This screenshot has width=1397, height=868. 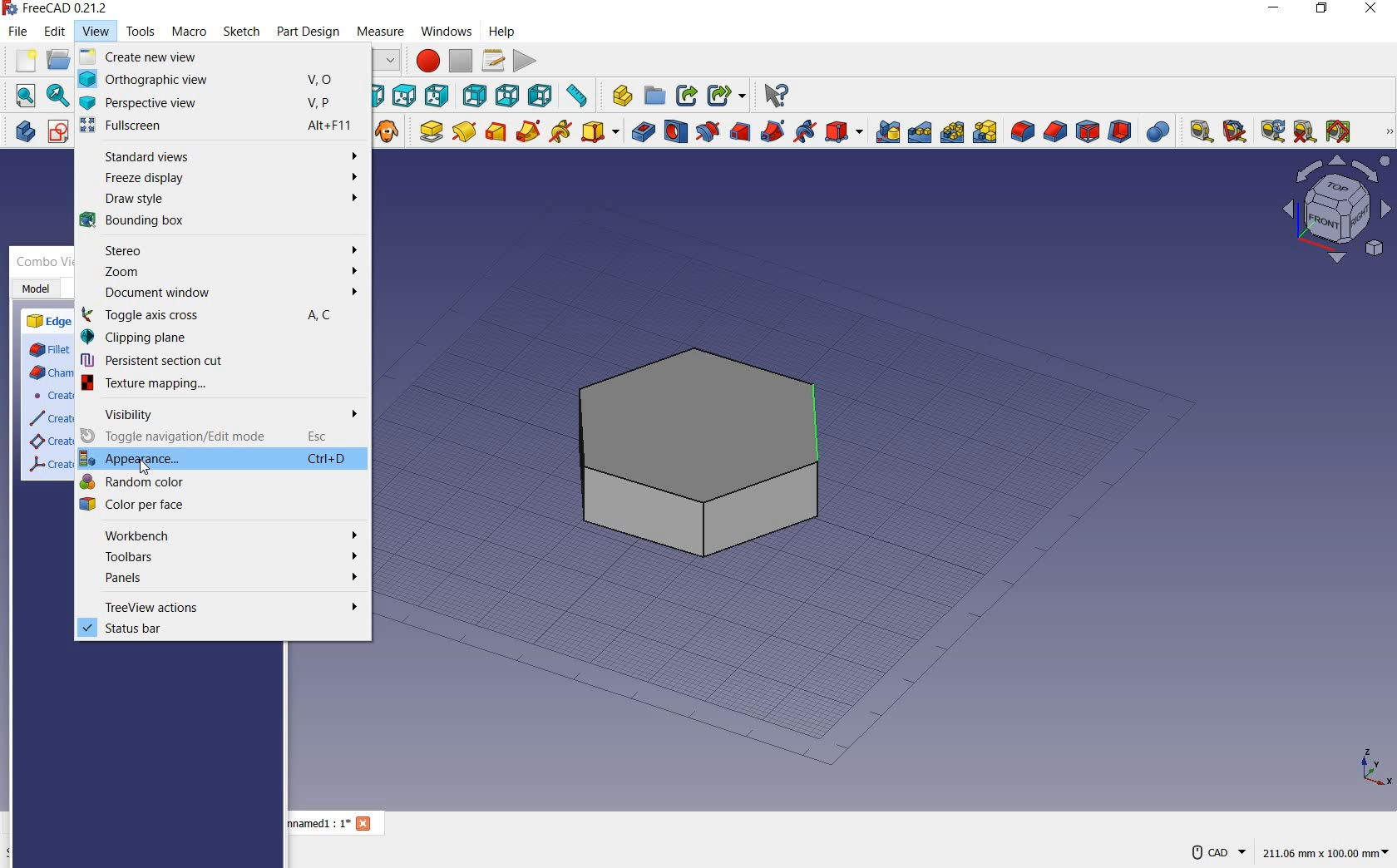 I want to click on create a subtractive primitive, so click(x=844, y=131).